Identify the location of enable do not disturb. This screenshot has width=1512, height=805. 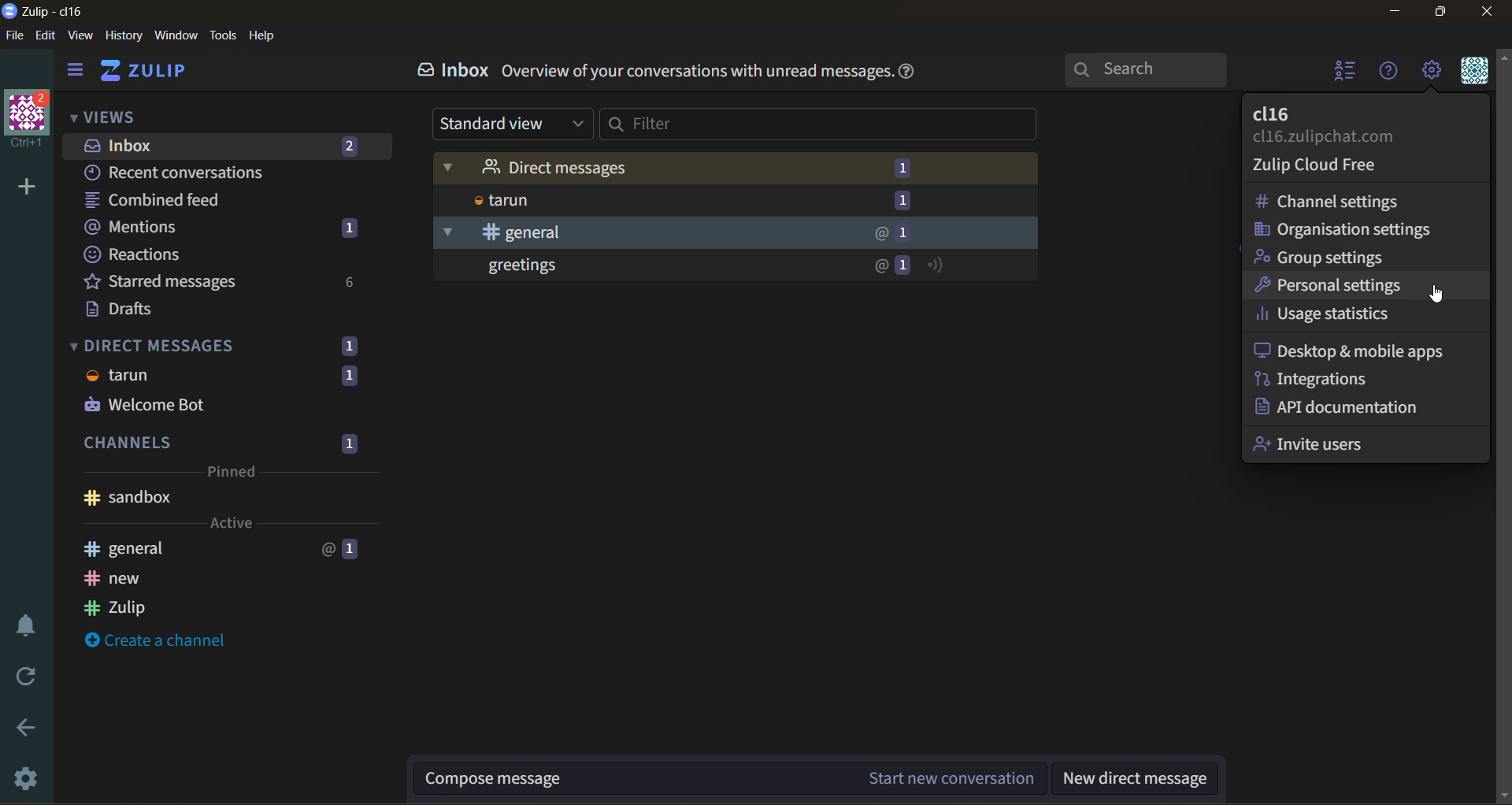
(28, 621).